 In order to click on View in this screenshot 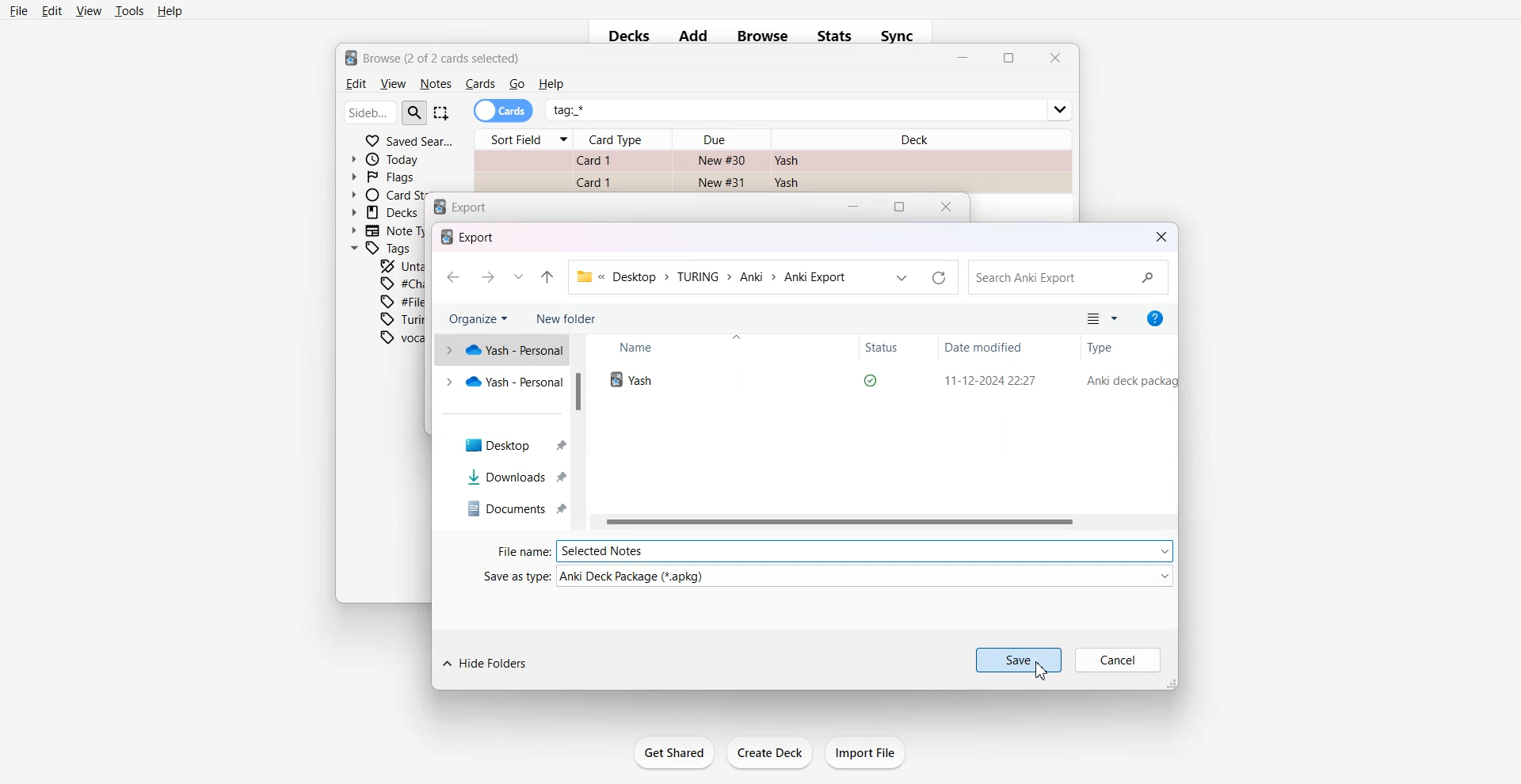, I will do `click(392, 84)`.